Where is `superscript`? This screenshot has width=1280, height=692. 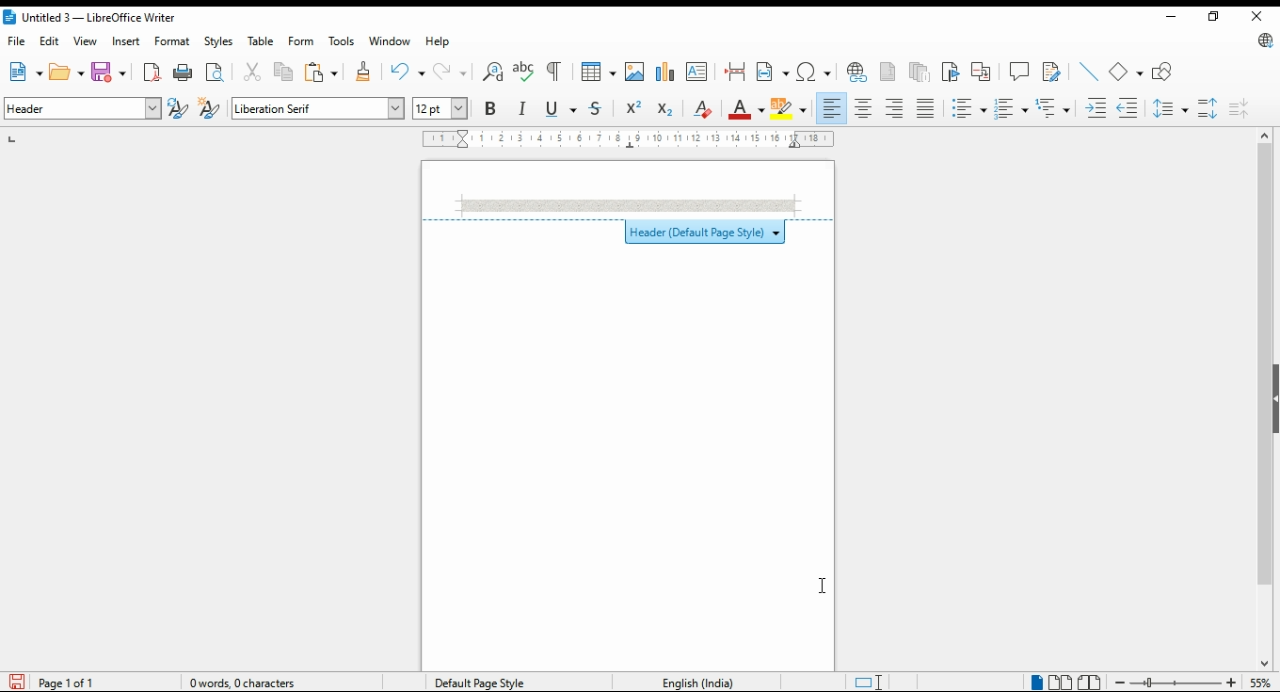
superscript is located at coordinates (633, 107).